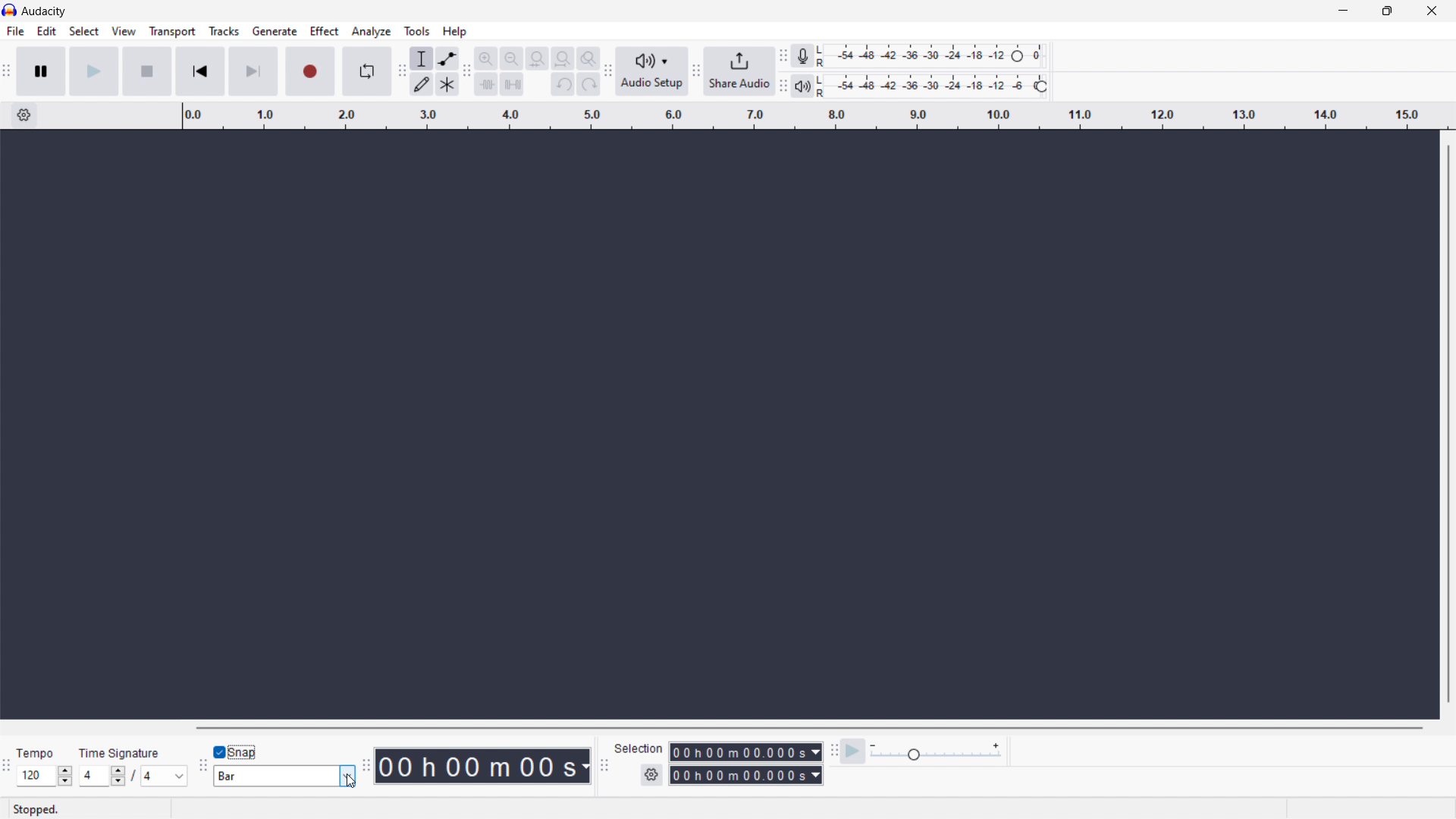  Describe the element at coordinates (455, 32) in the screenshot. I see `help` at that location.